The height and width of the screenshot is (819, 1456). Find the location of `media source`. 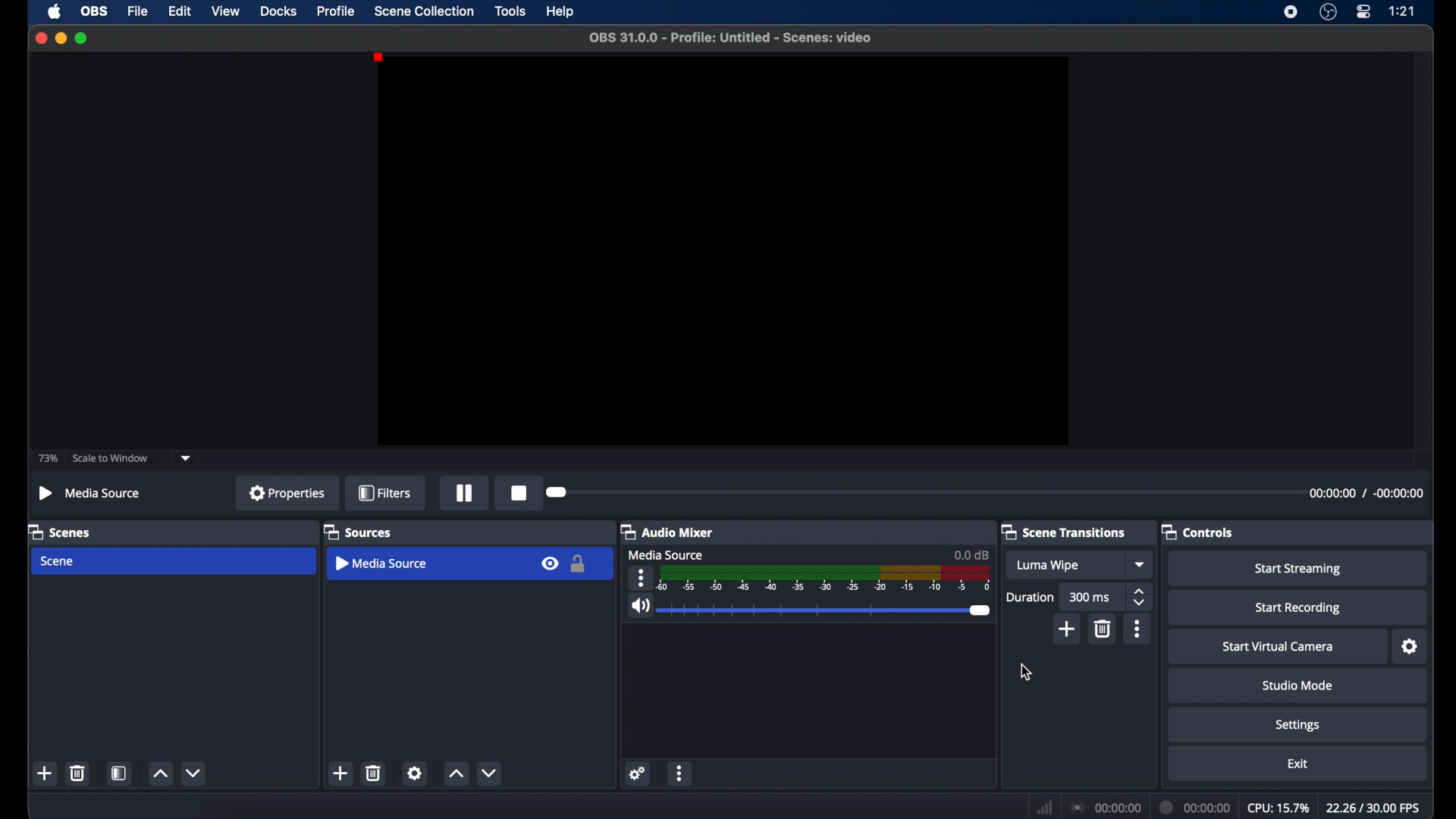

media source is located at coordinates (667, 555).